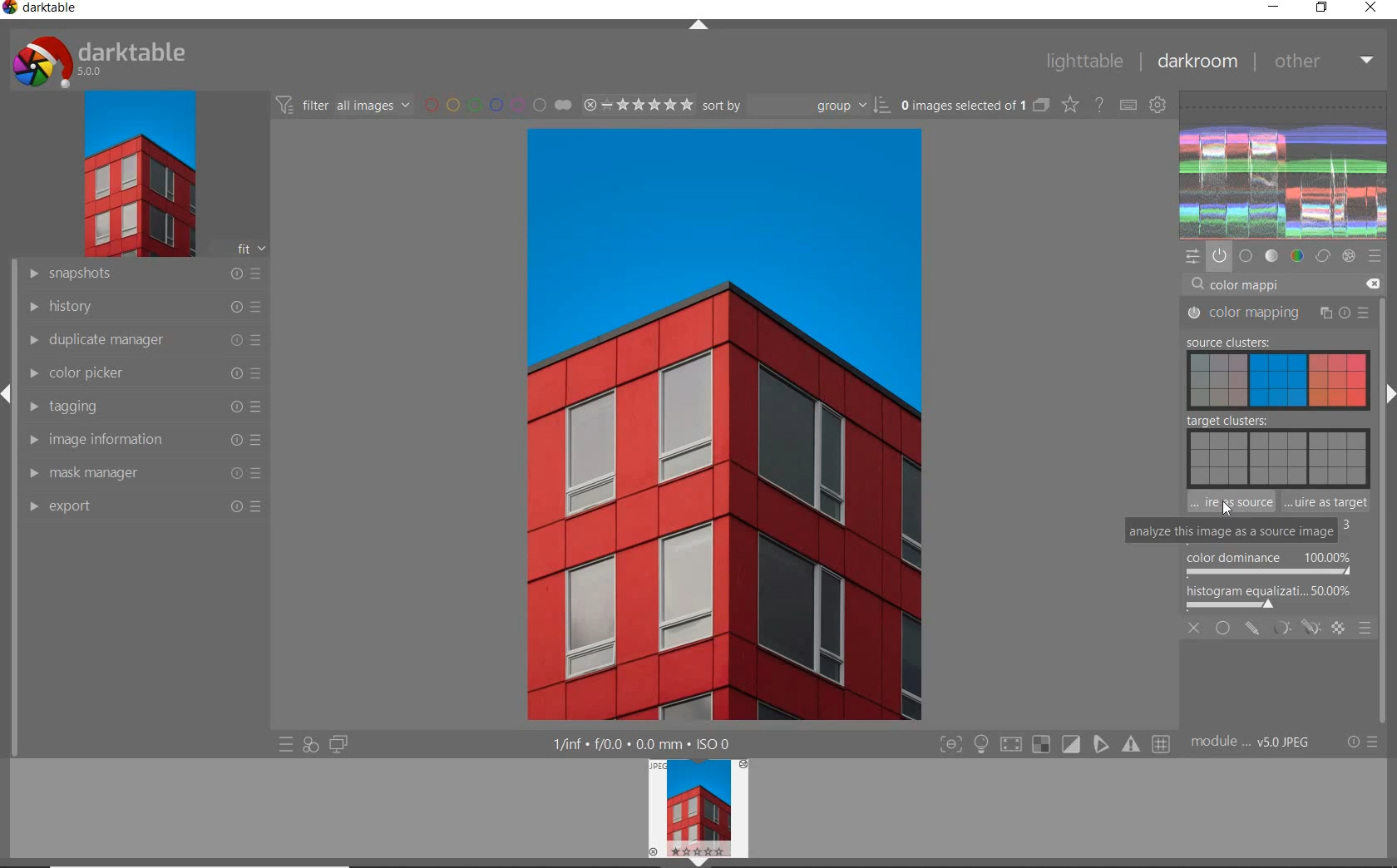 This screenshot has height=868, width=1397. I want to click on TARGET CLUSTERS, so click(1274, 449).